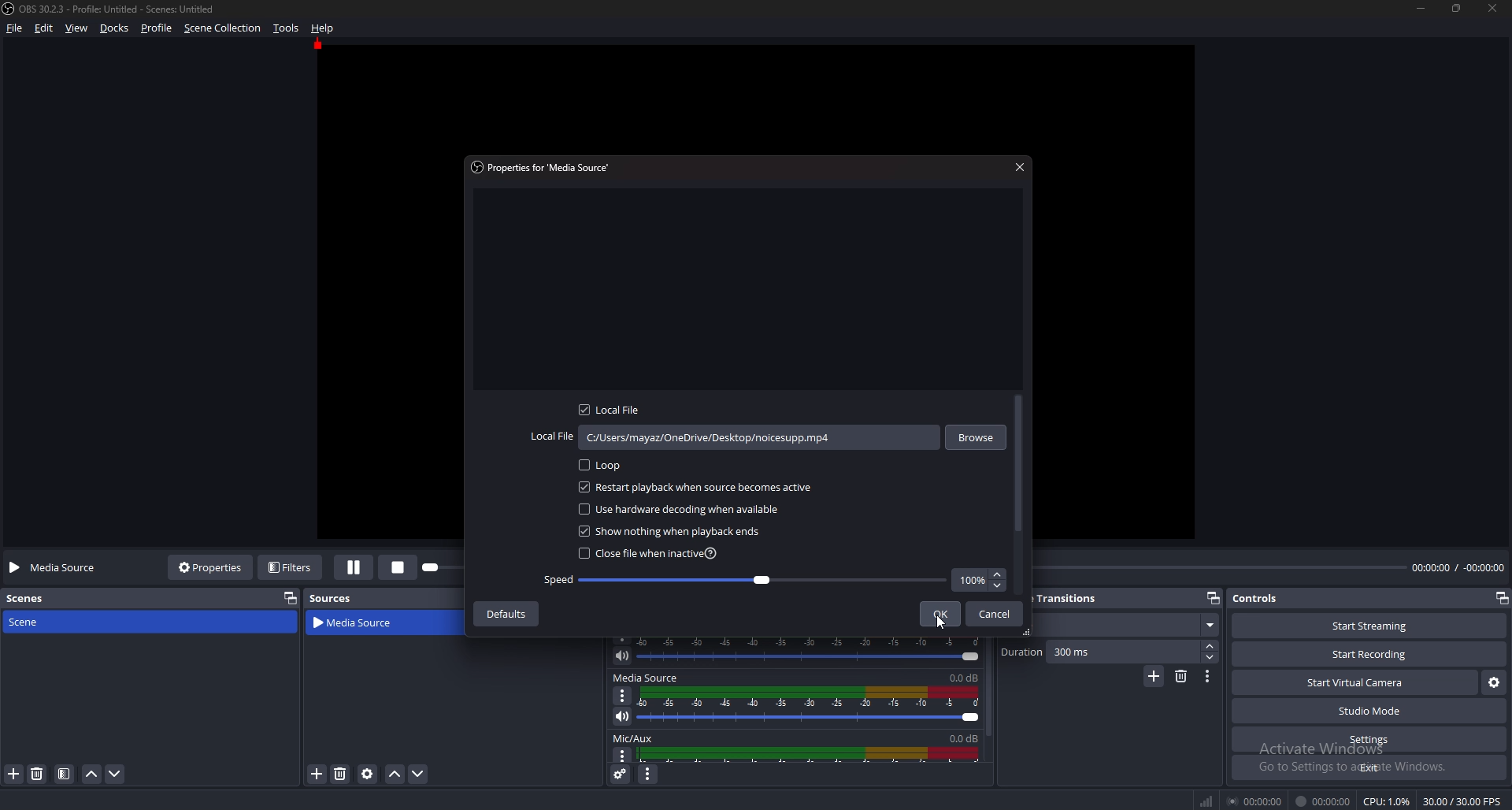 The image size is (1512, 810). I want to click on pause, so click(354, 567).